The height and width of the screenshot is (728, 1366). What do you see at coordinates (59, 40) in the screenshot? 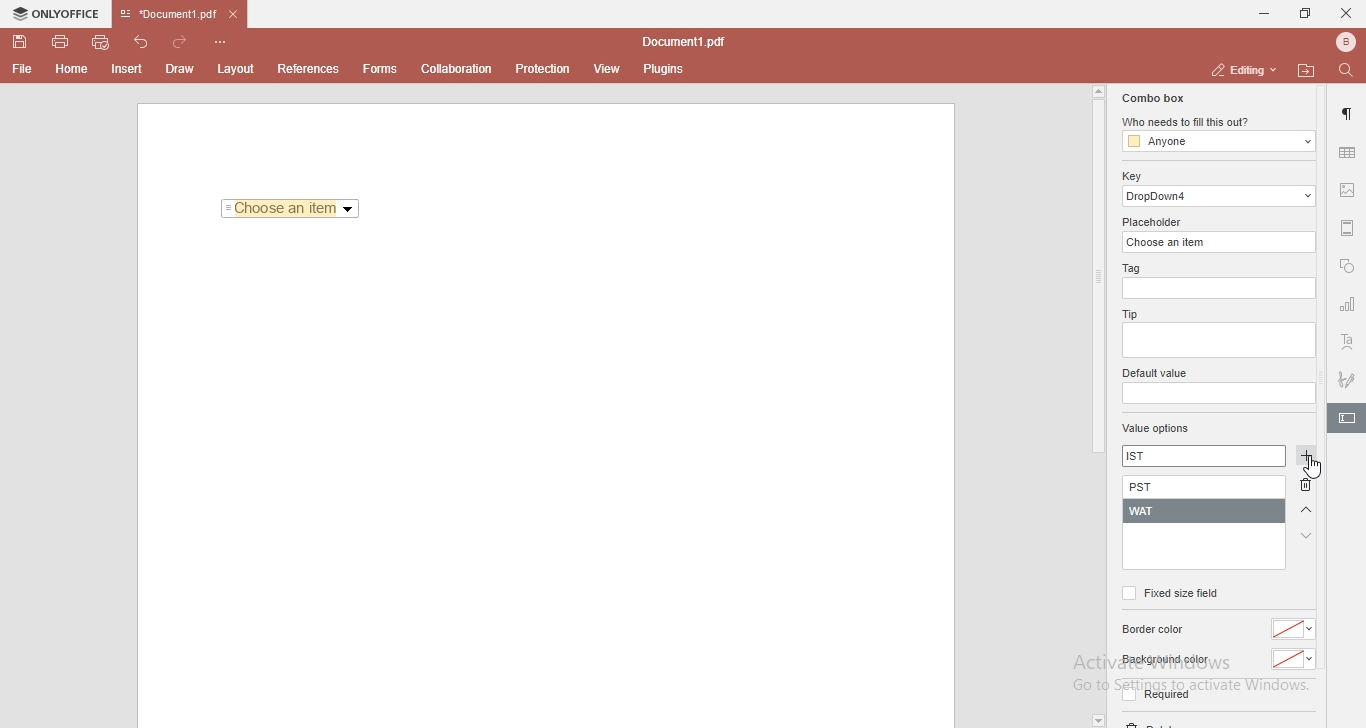
I see `print` at bounding box center [59, 40].